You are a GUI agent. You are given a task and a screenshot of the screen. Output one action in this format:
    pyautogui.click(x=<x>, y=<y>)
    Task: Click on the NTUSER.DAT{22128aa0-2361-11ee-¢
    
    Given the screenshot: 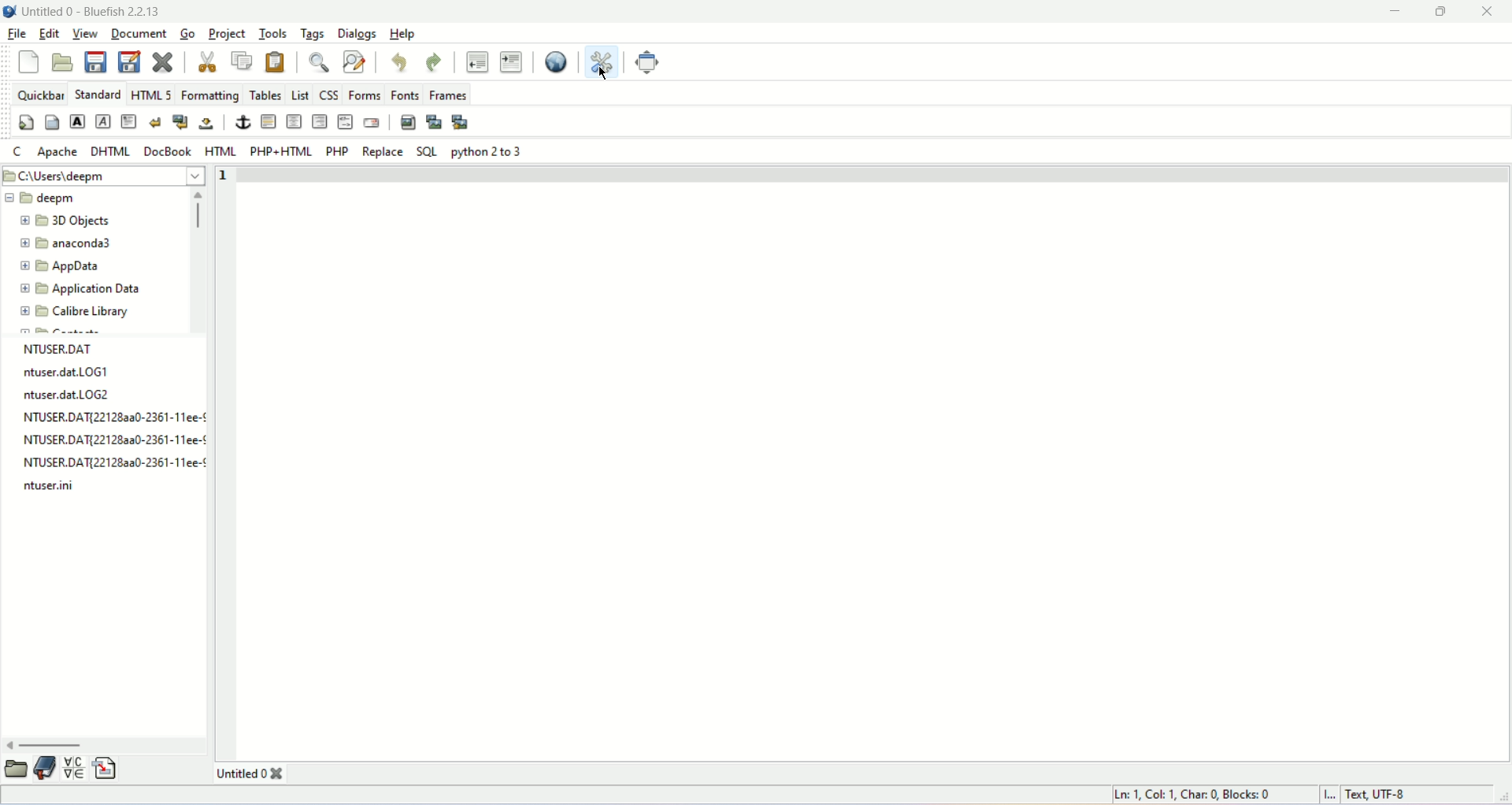 What is the action you would take?
    pyautogui.click(x=109, y=418)
    